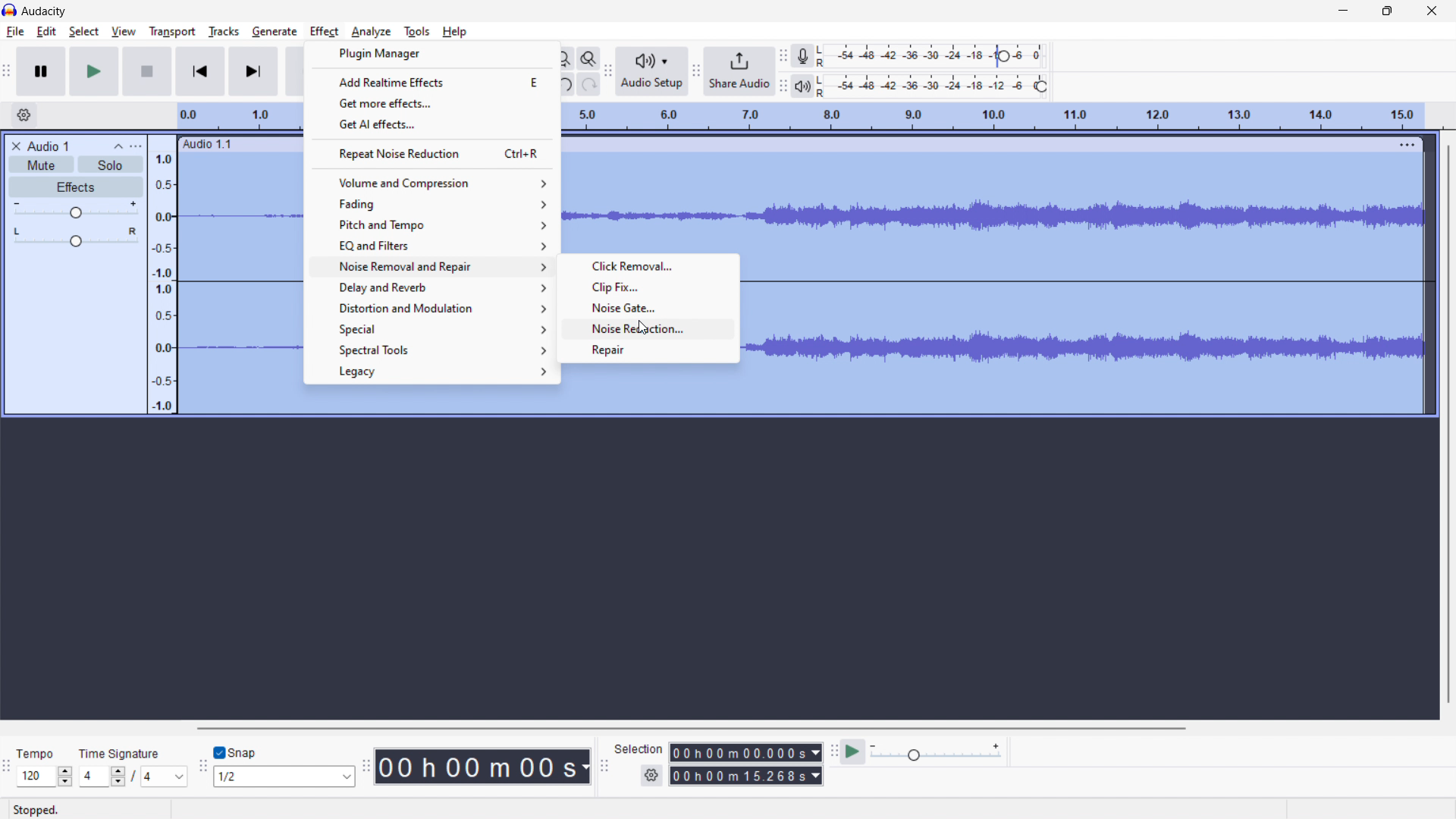 The height and width of the screenshot is (819, 1456). Describe the element at coordinates (431, 350) in the screenshot. I see `Spectral Tools` at that location.